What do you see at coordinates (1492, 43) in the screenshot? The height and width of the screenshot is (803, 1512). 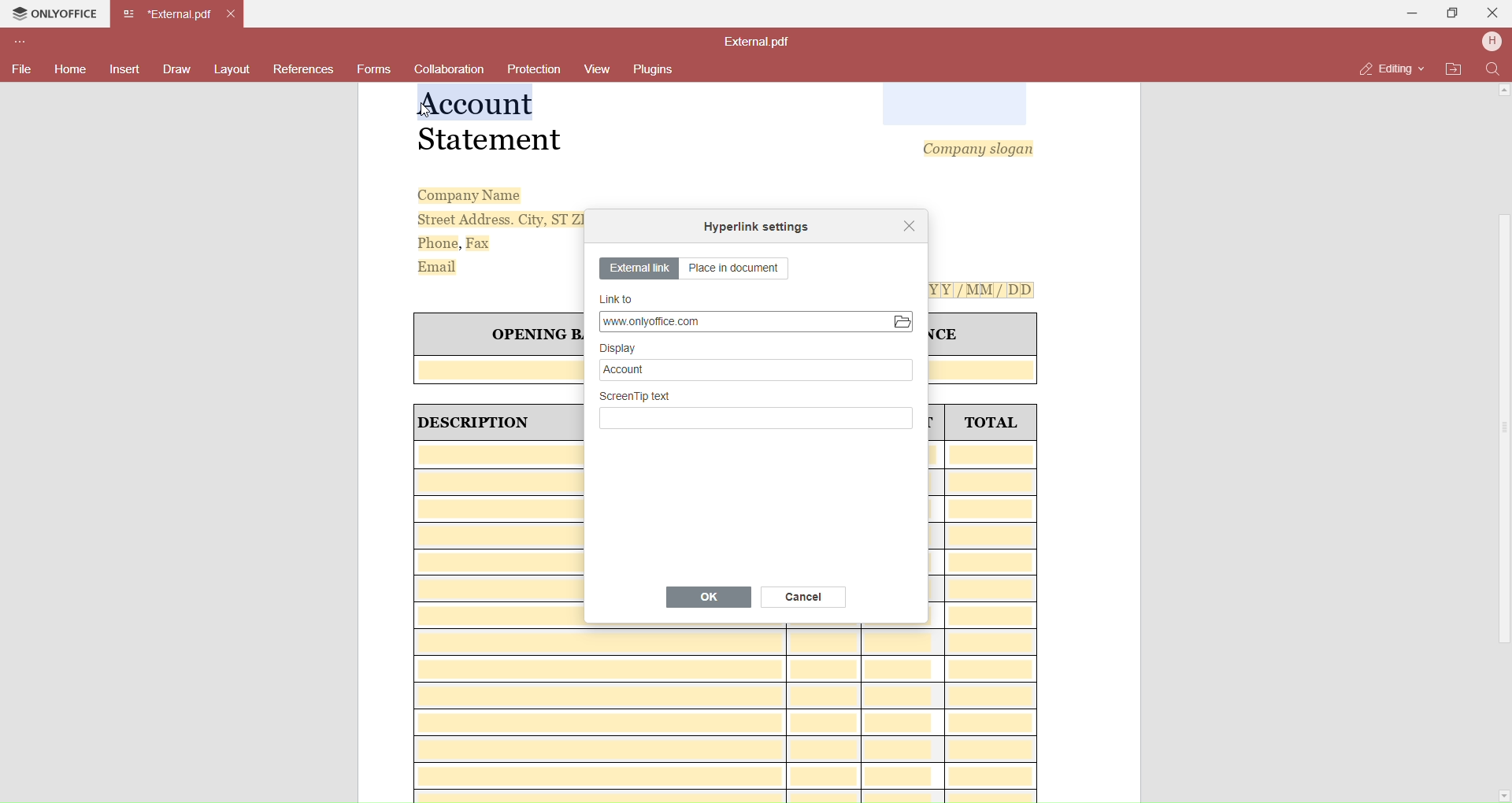 I see `User` at bounding box center [1492, 43].